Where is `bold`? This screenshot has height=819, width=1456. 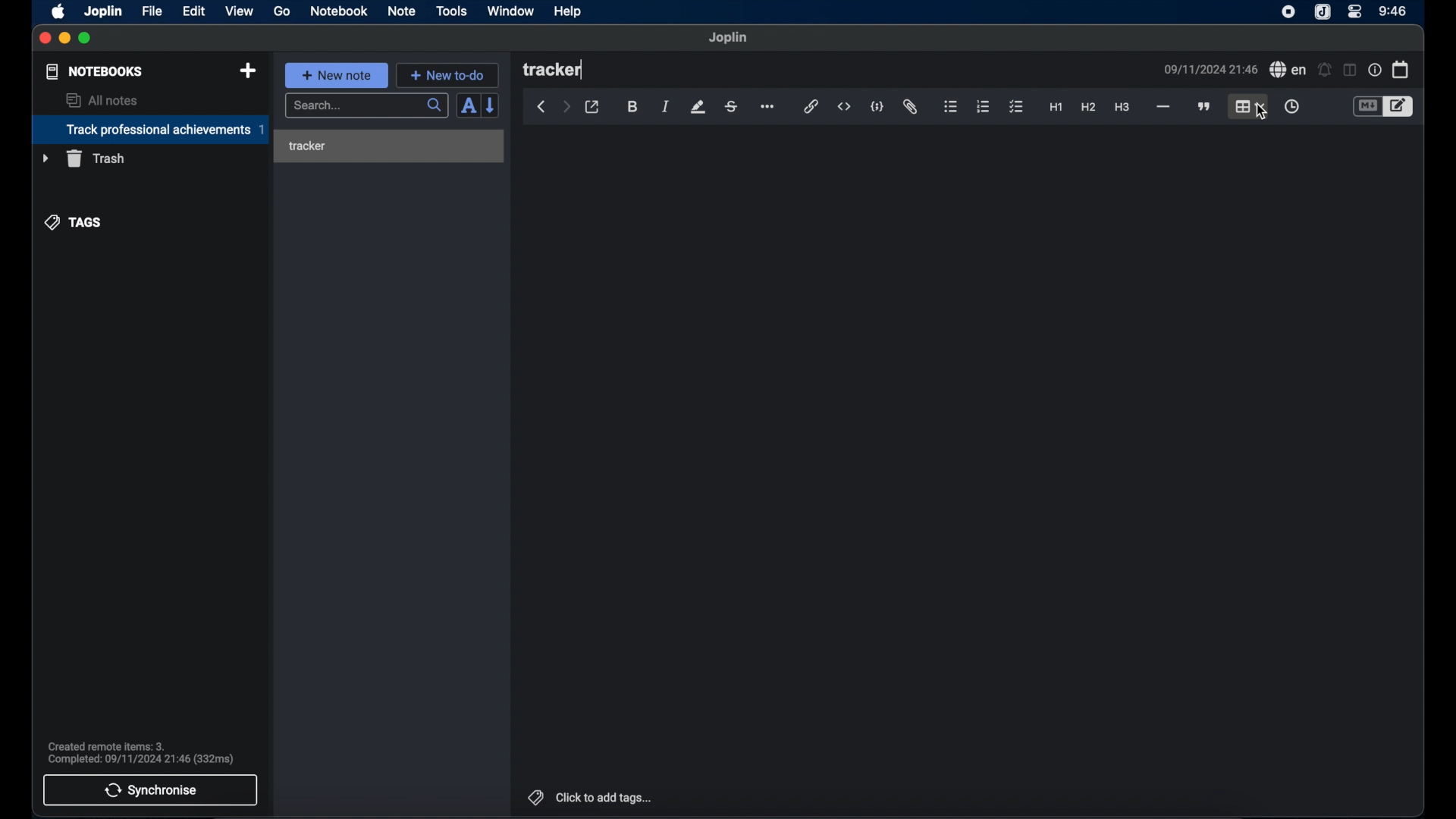
bold is located at coordinates (632, 107).